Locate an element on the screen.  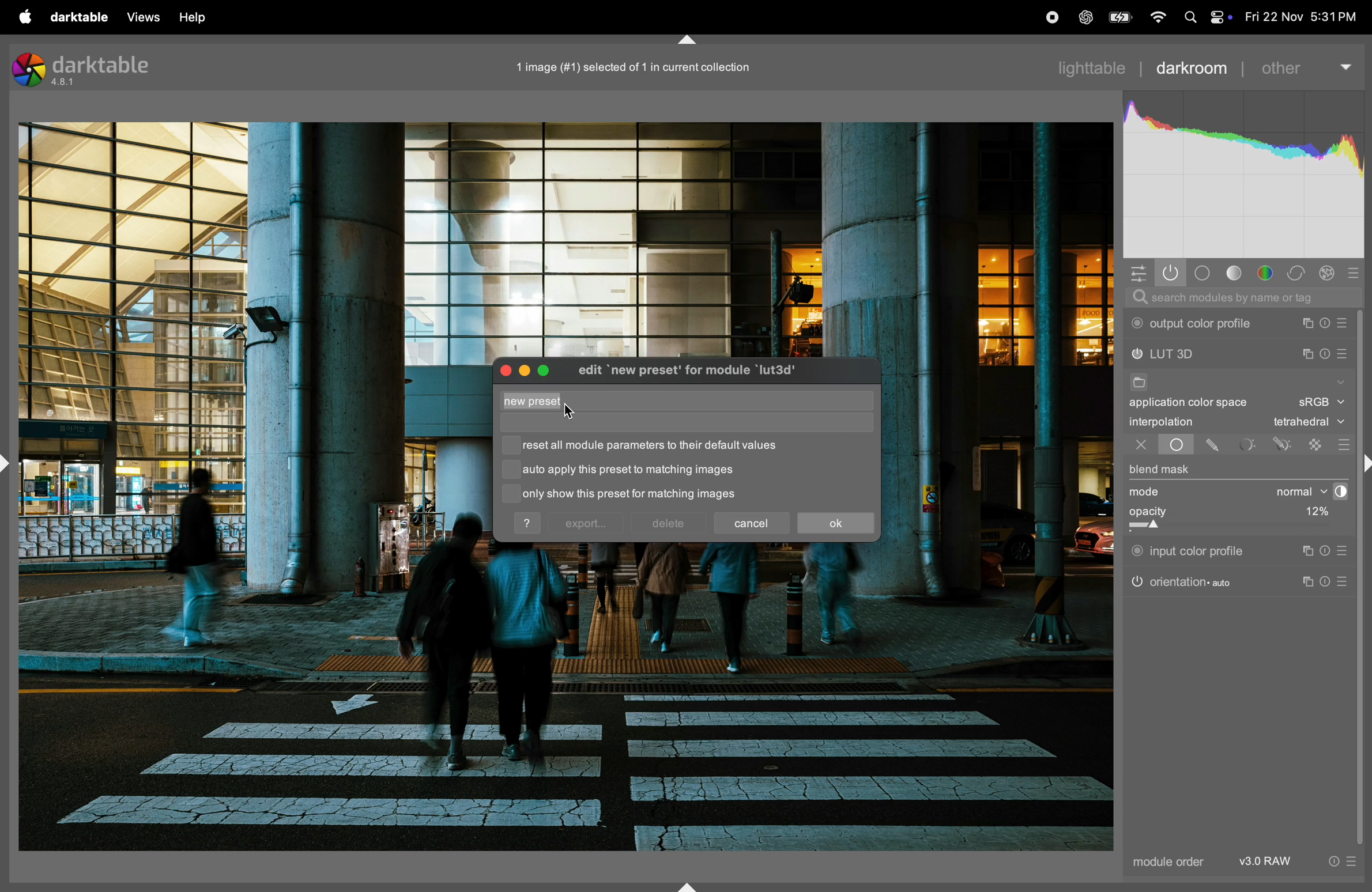
histogram is located at coordinates (1245, 176).